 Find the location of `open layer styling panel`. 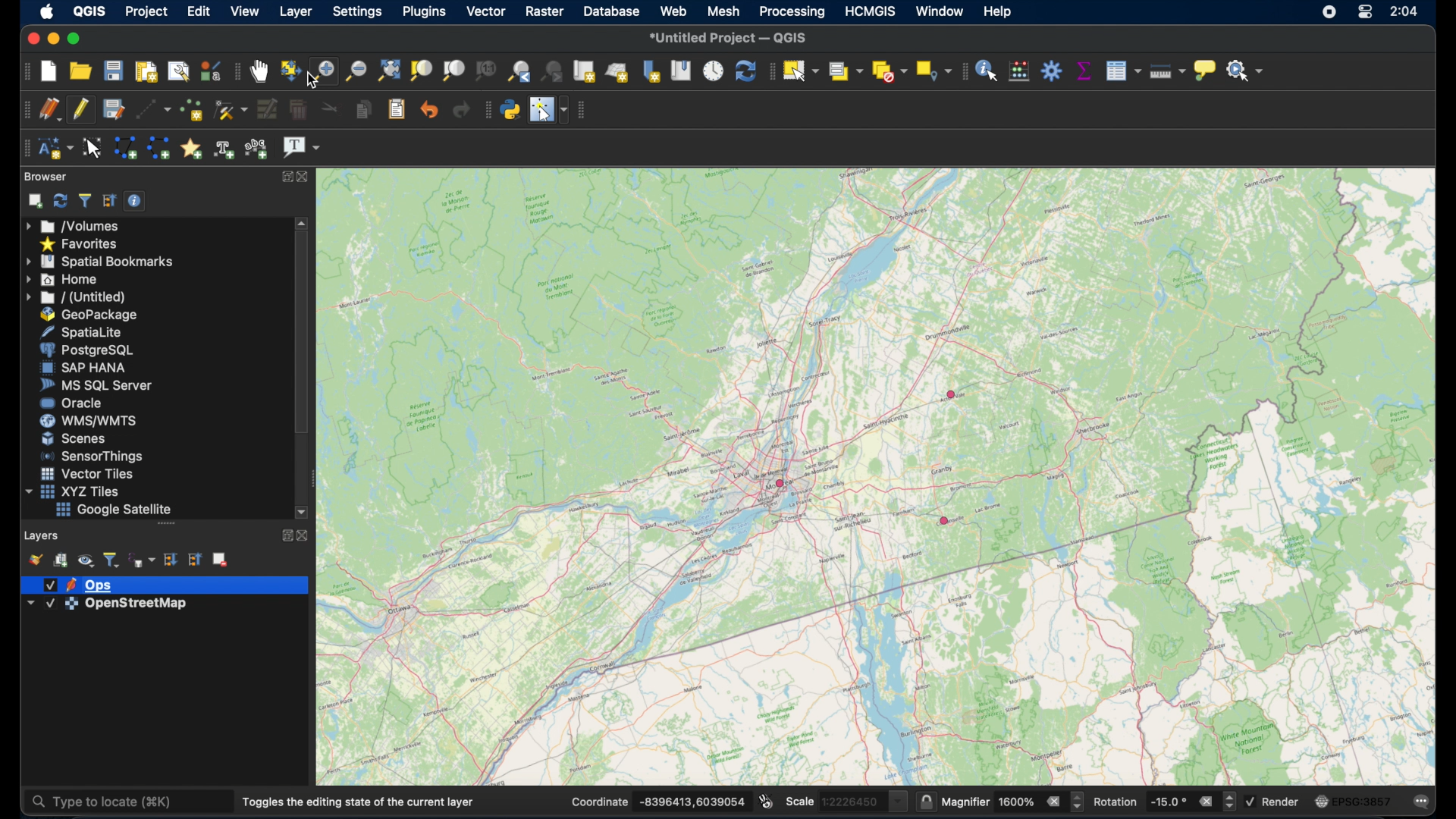

open layer styling panel is located at coordinates (35, 559).